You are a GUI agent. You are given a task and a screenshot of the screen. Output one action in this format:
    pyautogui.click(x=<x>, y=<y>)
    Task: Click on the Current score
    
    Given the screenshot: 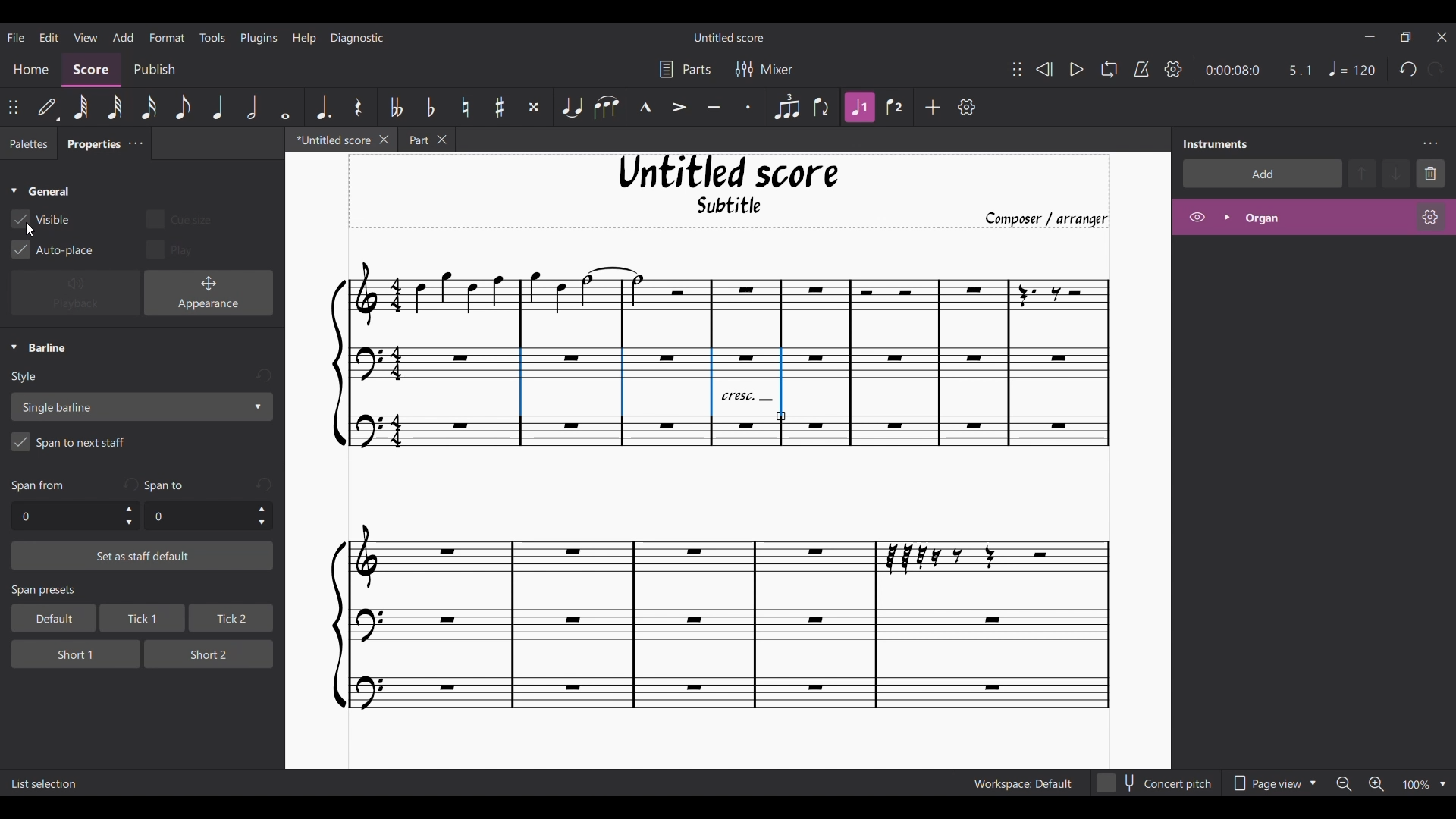 What is the action you would take?
    pyautogui.click(x=712, y=490)
    